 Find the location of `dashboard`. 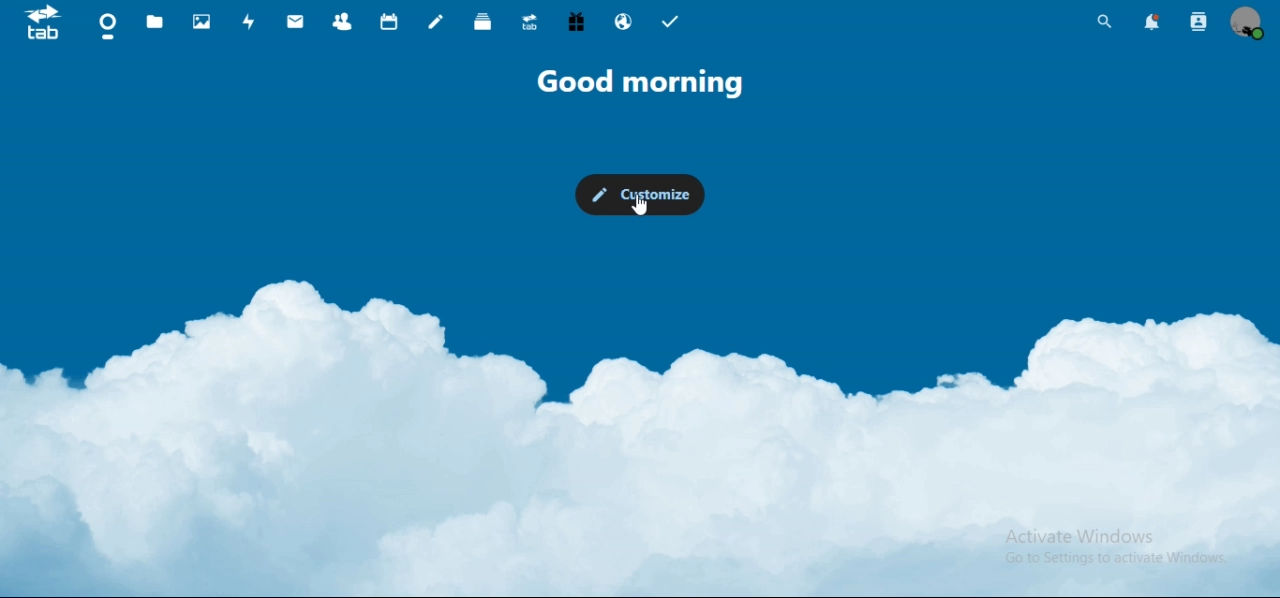

dashboard is located at coordinates (110, 27).